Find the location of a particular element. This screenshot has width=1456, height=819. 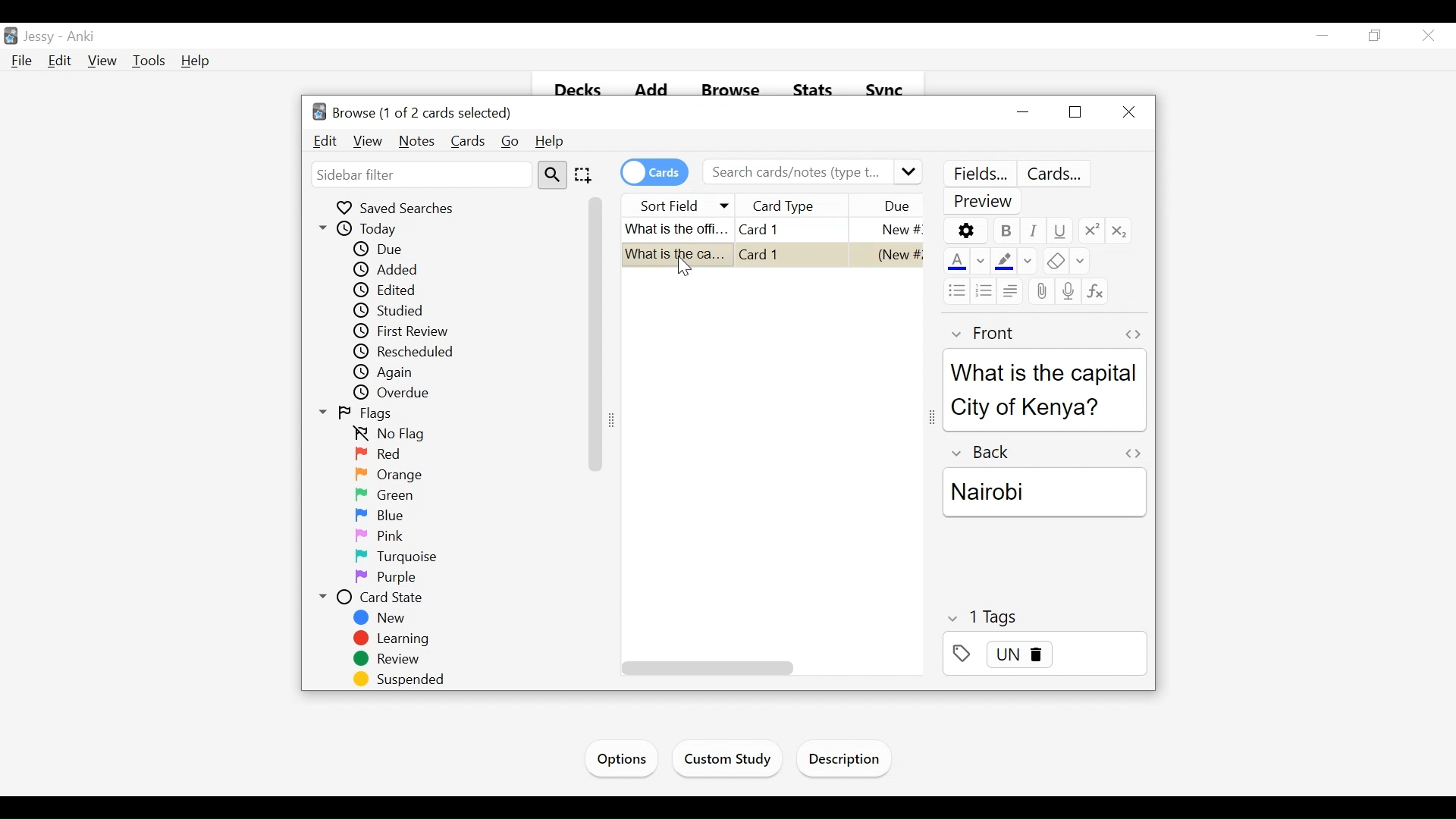

Toggle cards on/off is located at coordinates (653, 172).